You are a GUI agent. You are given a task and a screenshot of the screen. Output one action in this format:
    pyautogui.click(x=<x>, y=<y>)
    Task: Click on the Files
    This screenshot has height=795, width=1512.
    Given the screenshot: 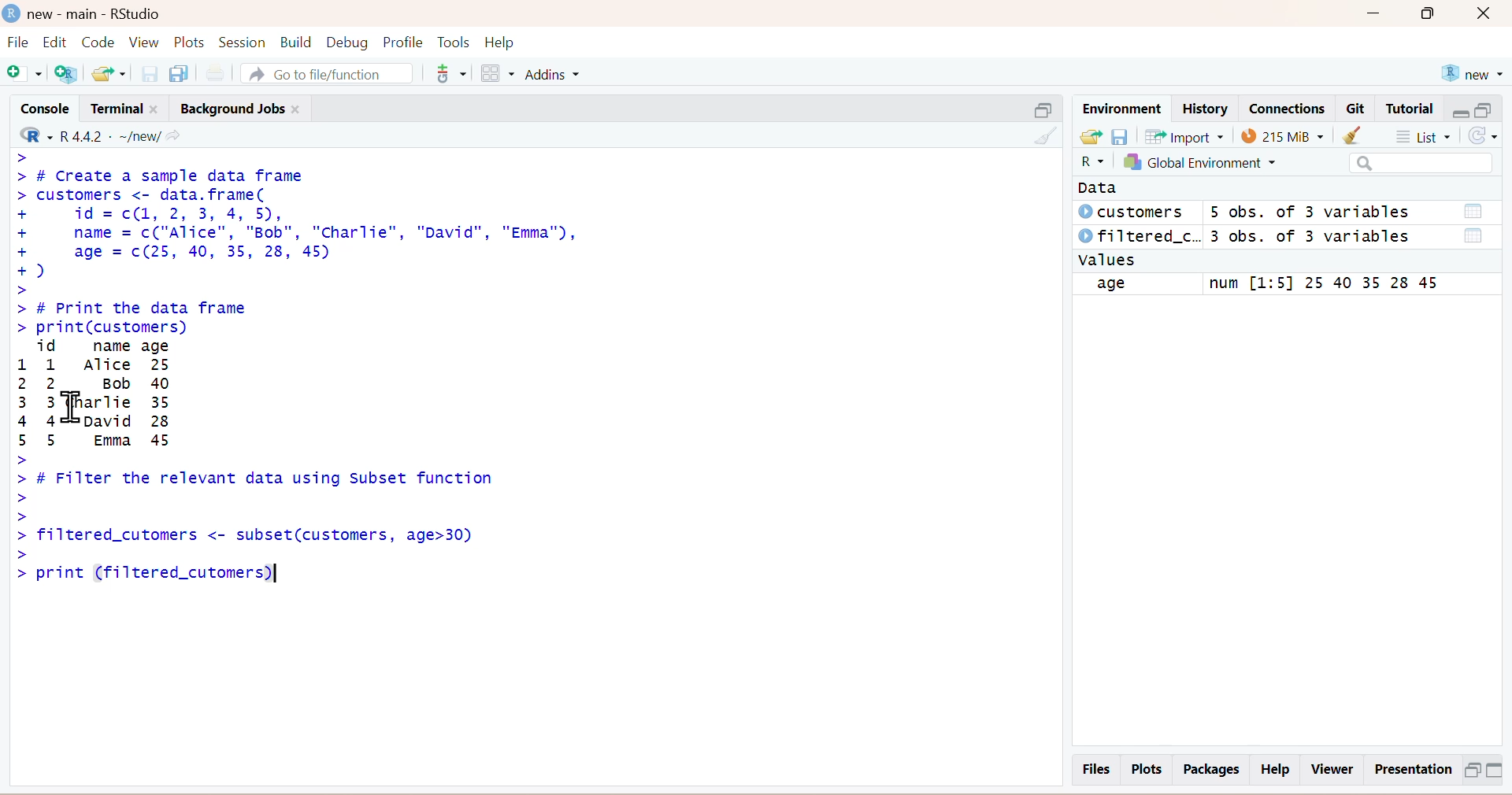 What is the action you would take?
    pyautogui.click(x=1094, y=768)
    